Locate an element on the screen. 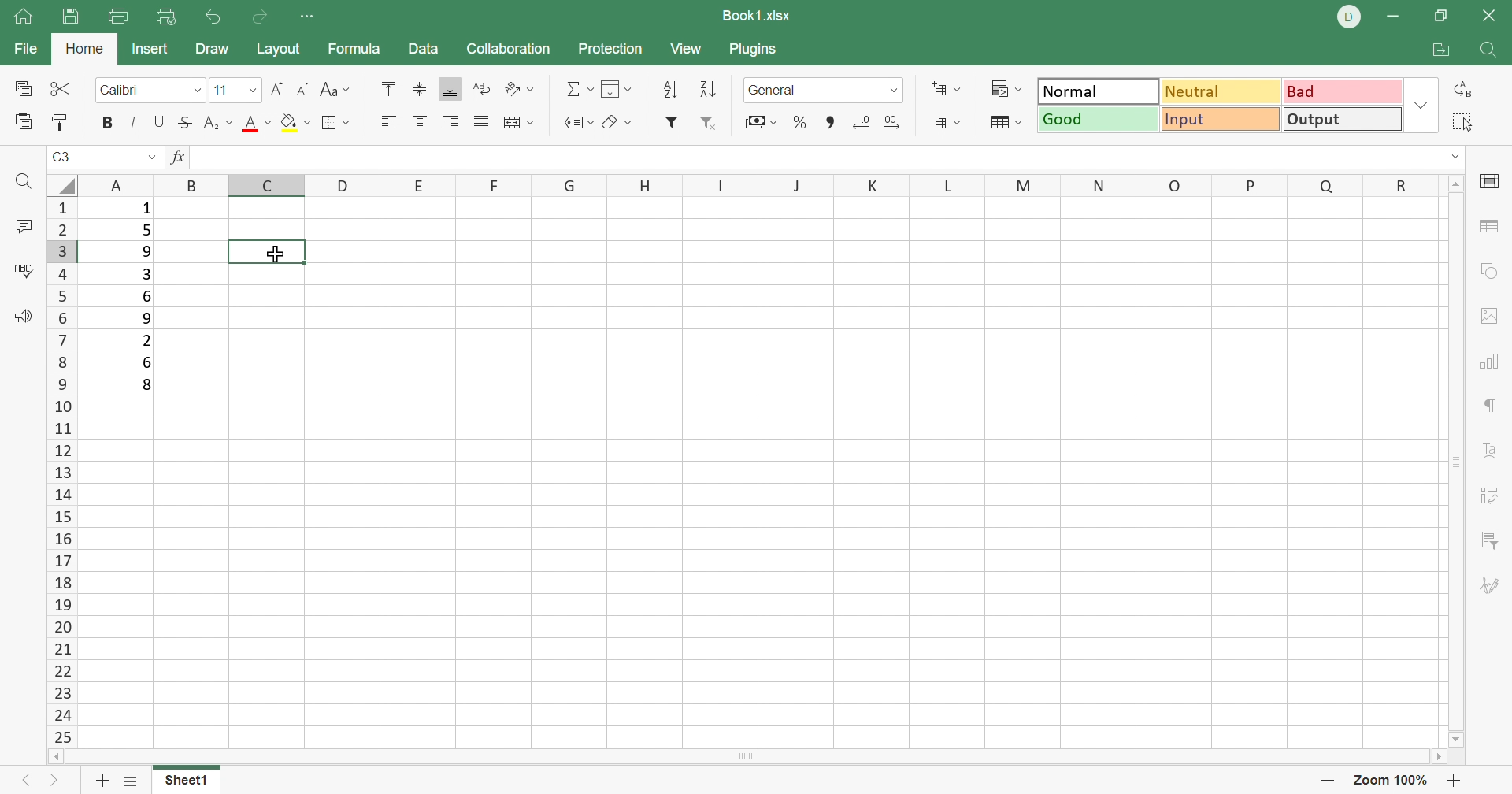 This screenshot has height=794, width=1512. Check spelling is located at coordinates (26, 273).